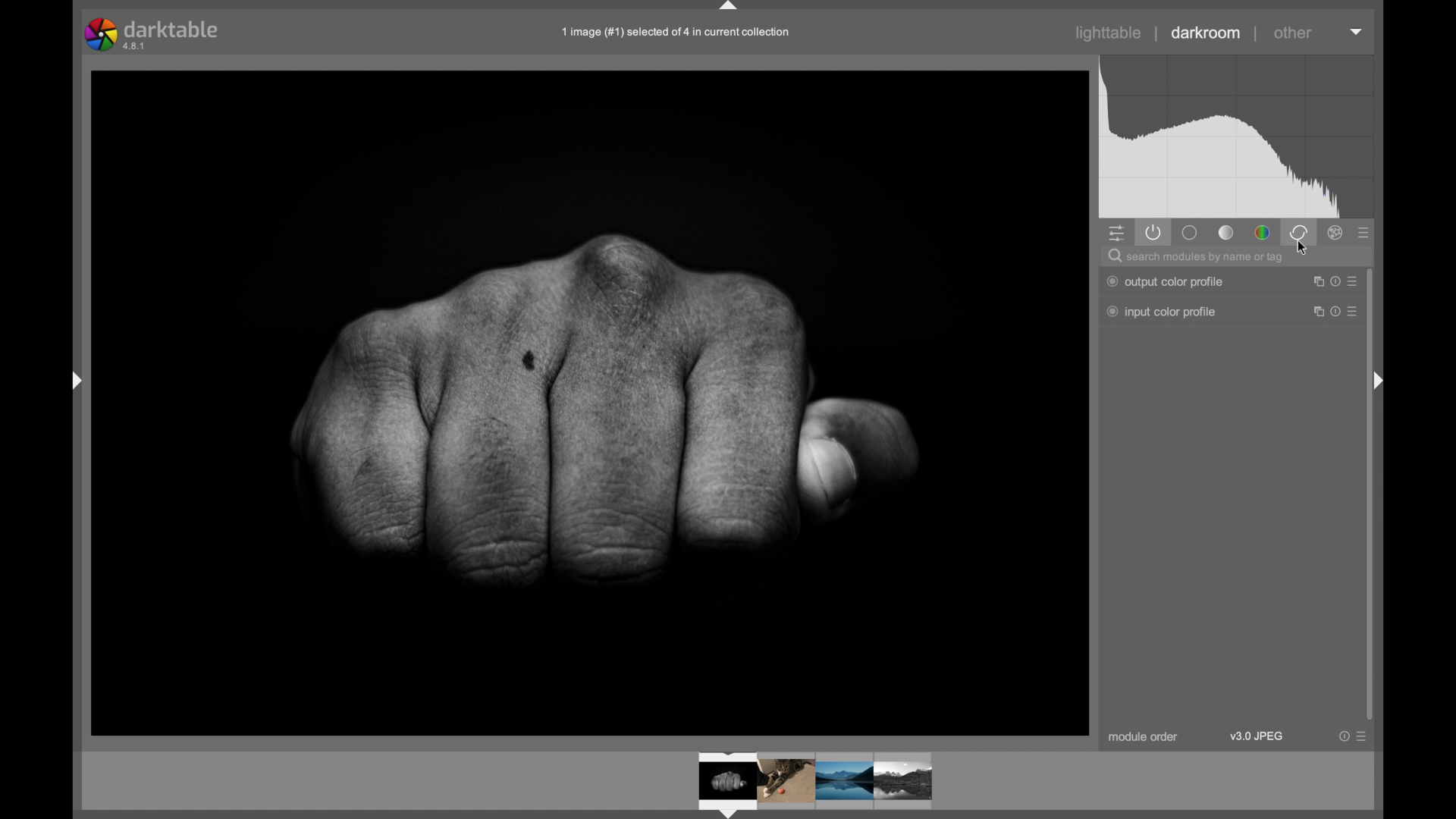  I want to click on output color profile, so click(1165, 282).